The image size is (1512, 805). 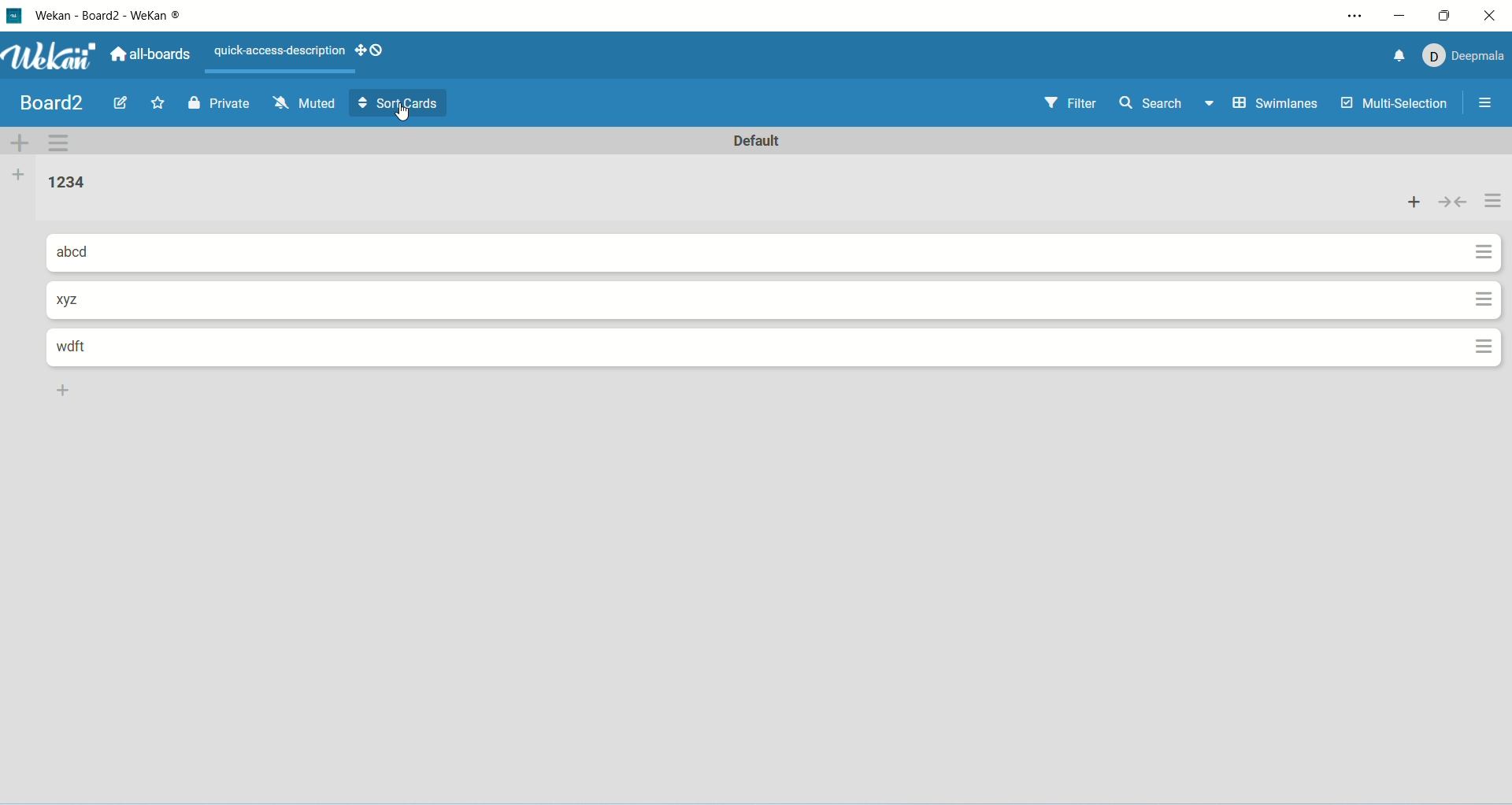 What do you see at coordinates (306, 104) in the screenshot?
I see `muted` at bounding box center [306, 104].